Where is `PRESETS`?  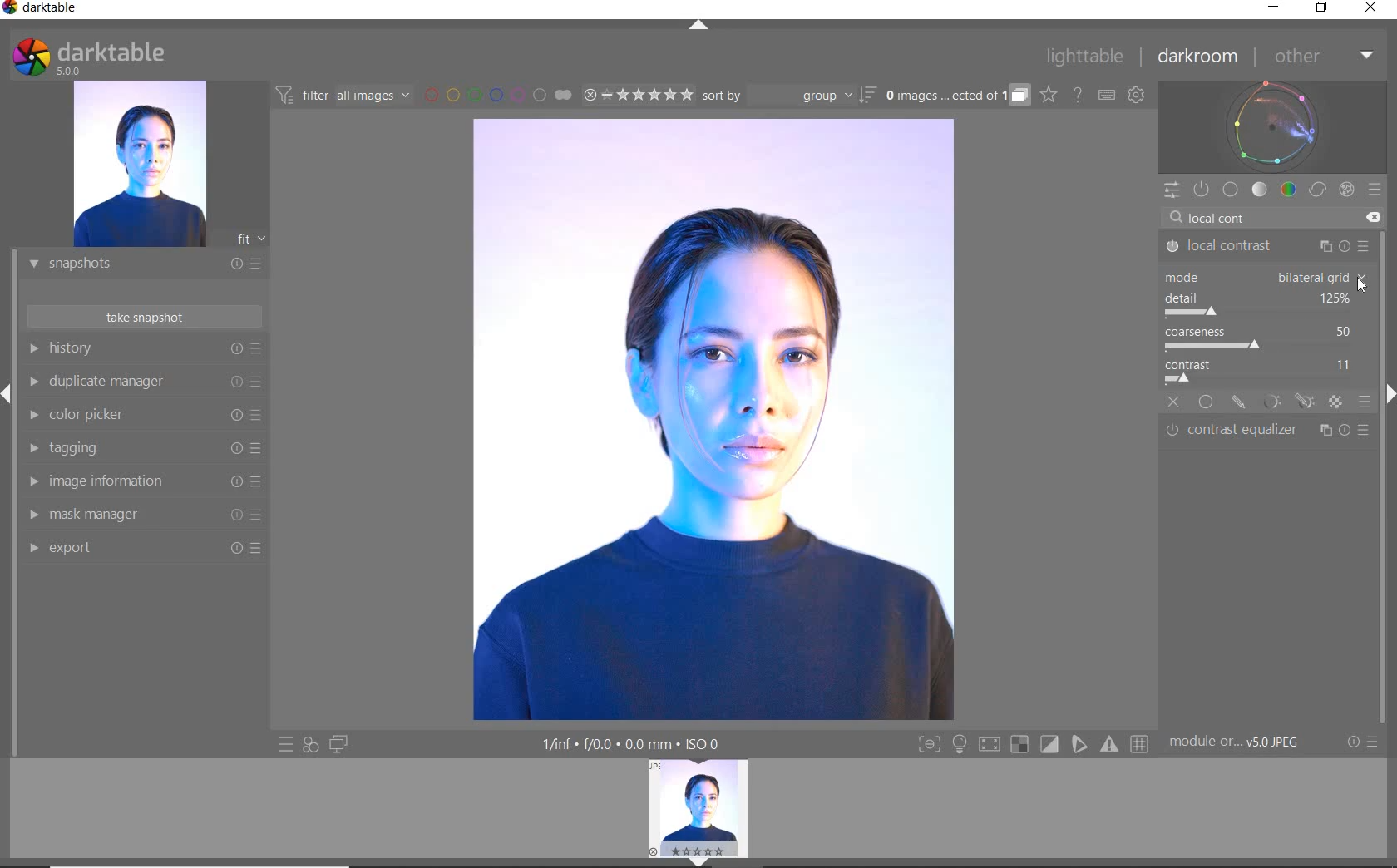
PRESETS is located at coordinates (1375, 189).